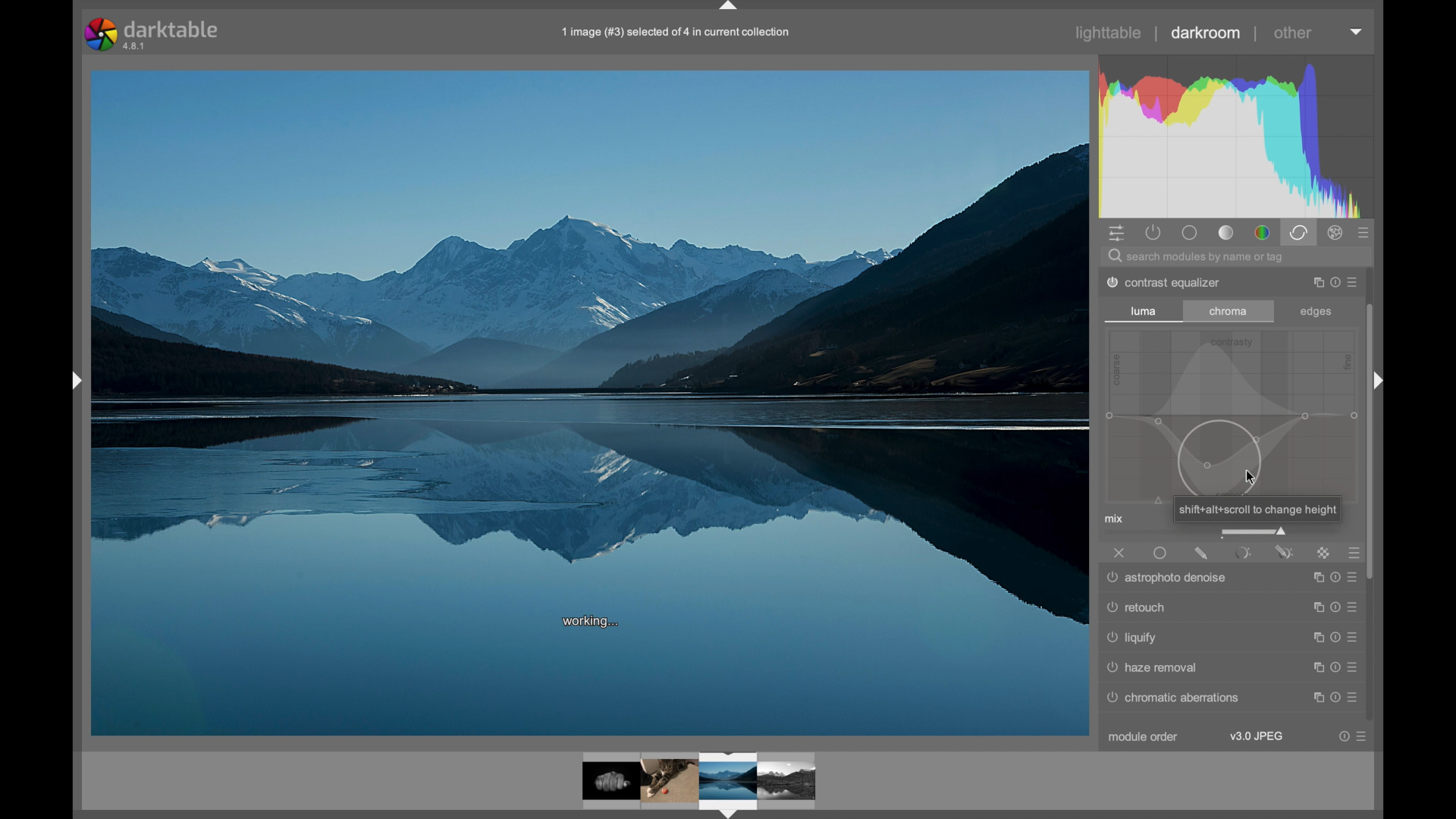  What do you see at coordinates (1206, 33) in the screenshot?
I see `darkroom` at bounding box center [1206, 33].